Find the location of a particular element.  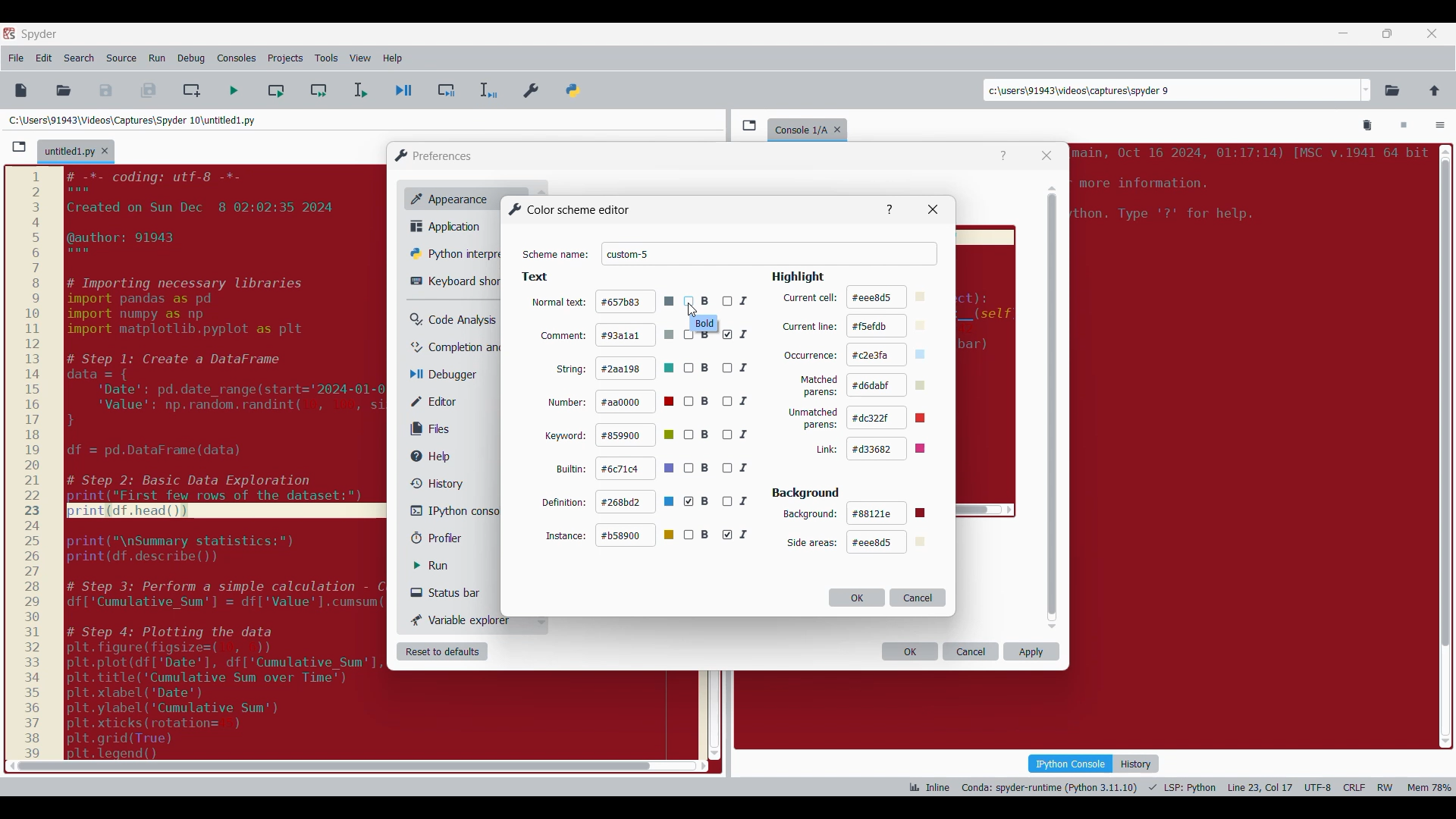

#aa0000 is located at coordinates (637, 402).